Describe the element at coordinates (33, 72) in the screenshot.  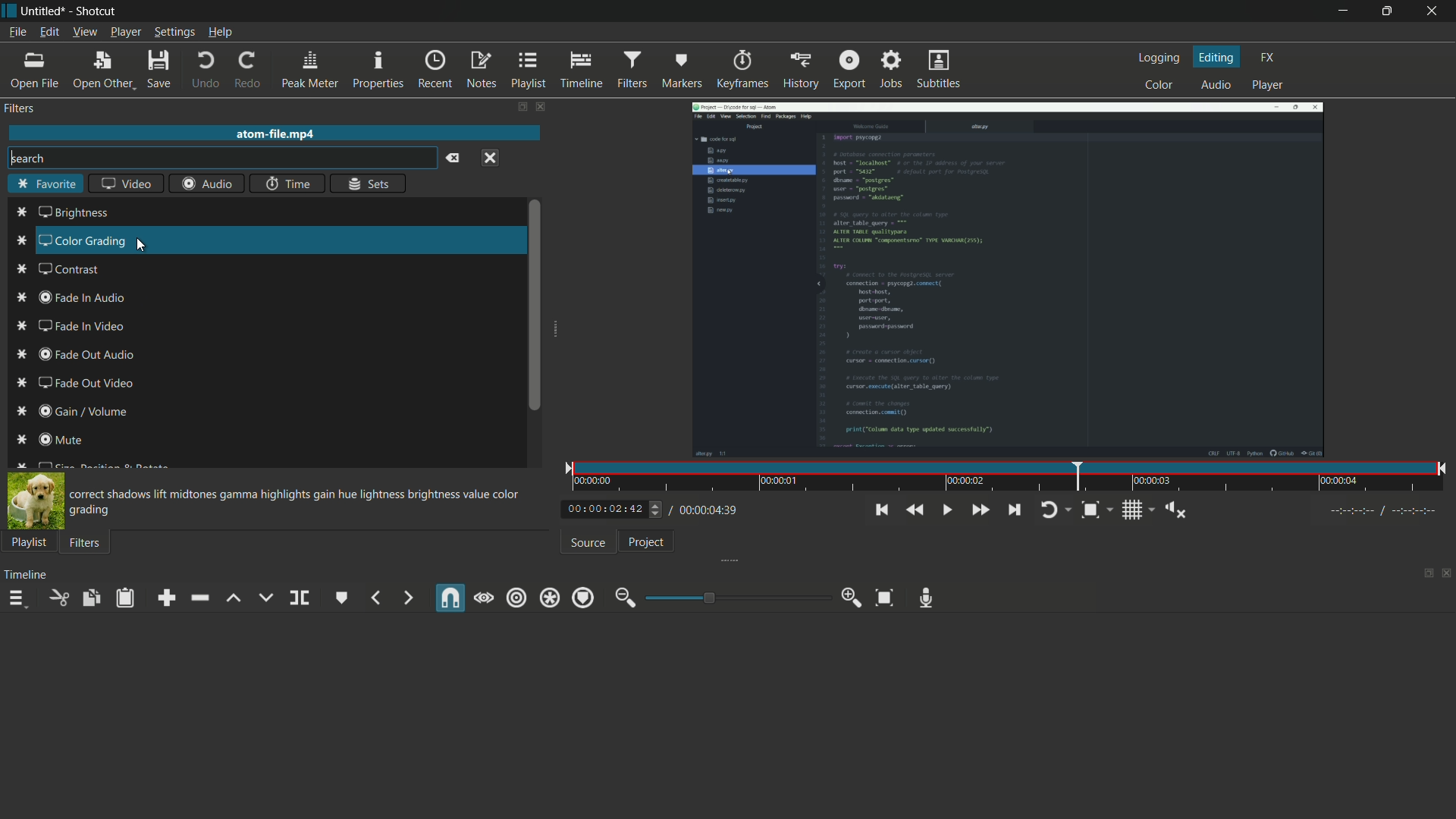
I see `open file` at that location.